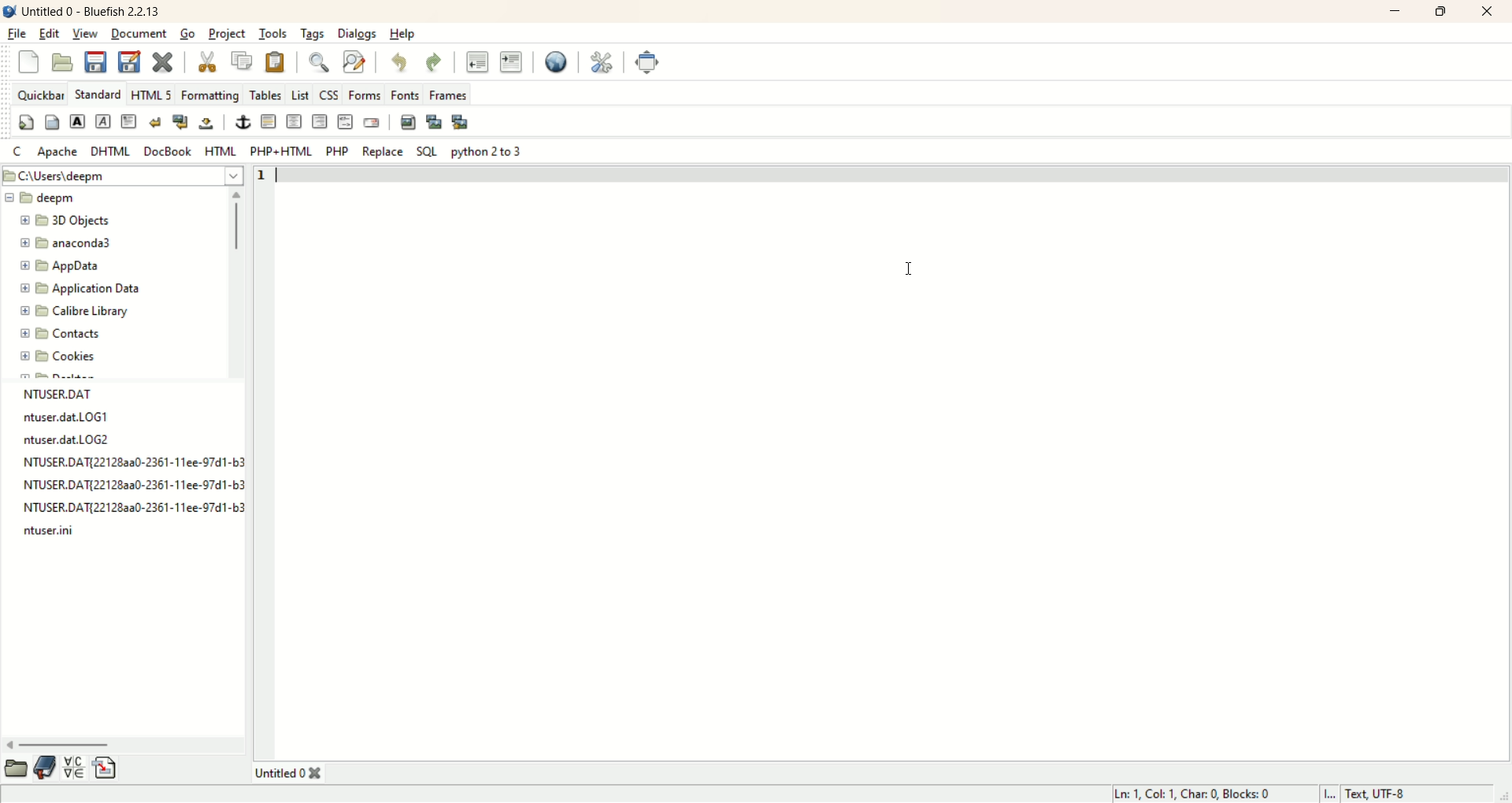  What do you see at coordinates (402, 35) in the screenshot?
I see `help` at bounding box center [402, 35].